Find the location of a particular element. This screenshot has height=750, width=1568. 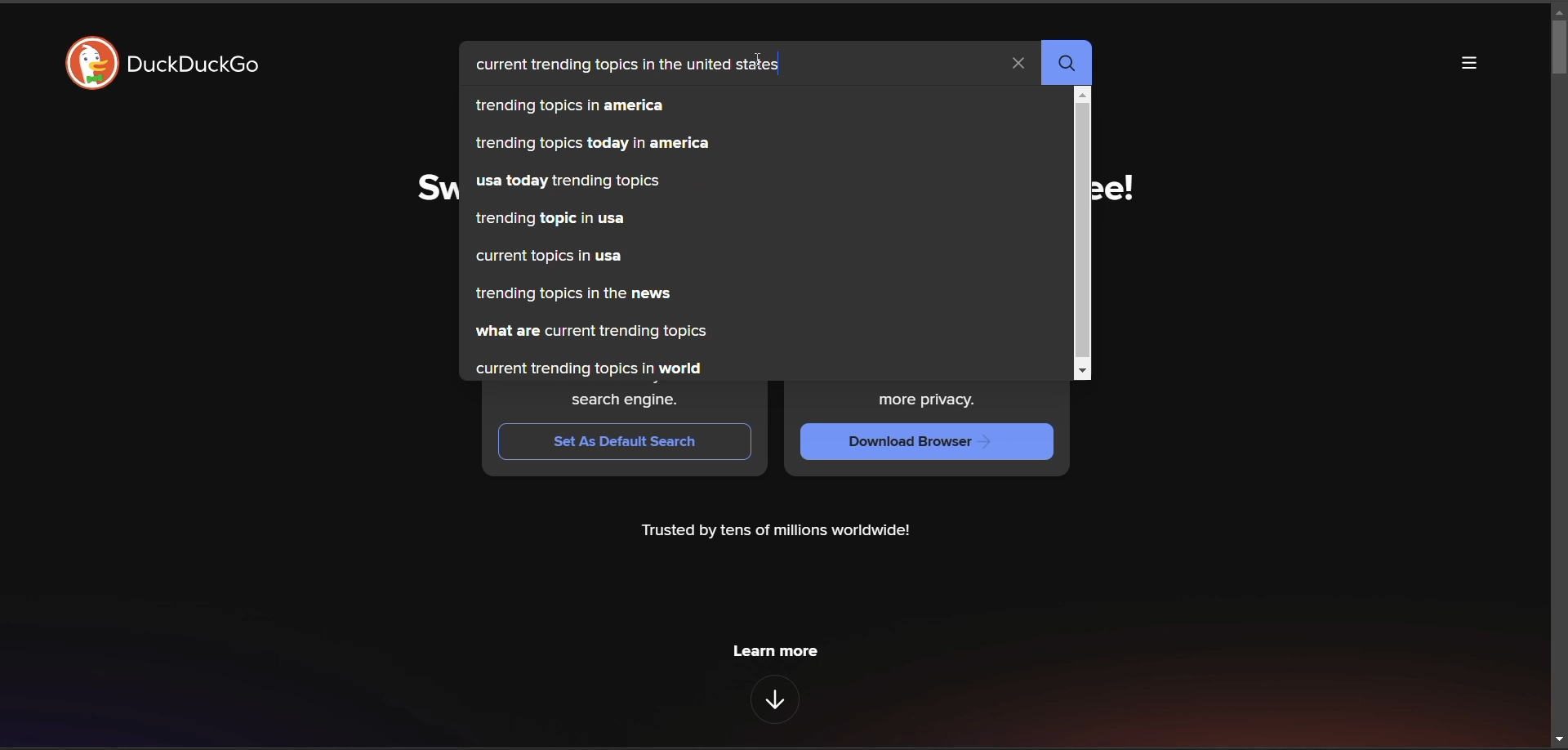

vertical scroll bar is located at coordinates (1552, 51).